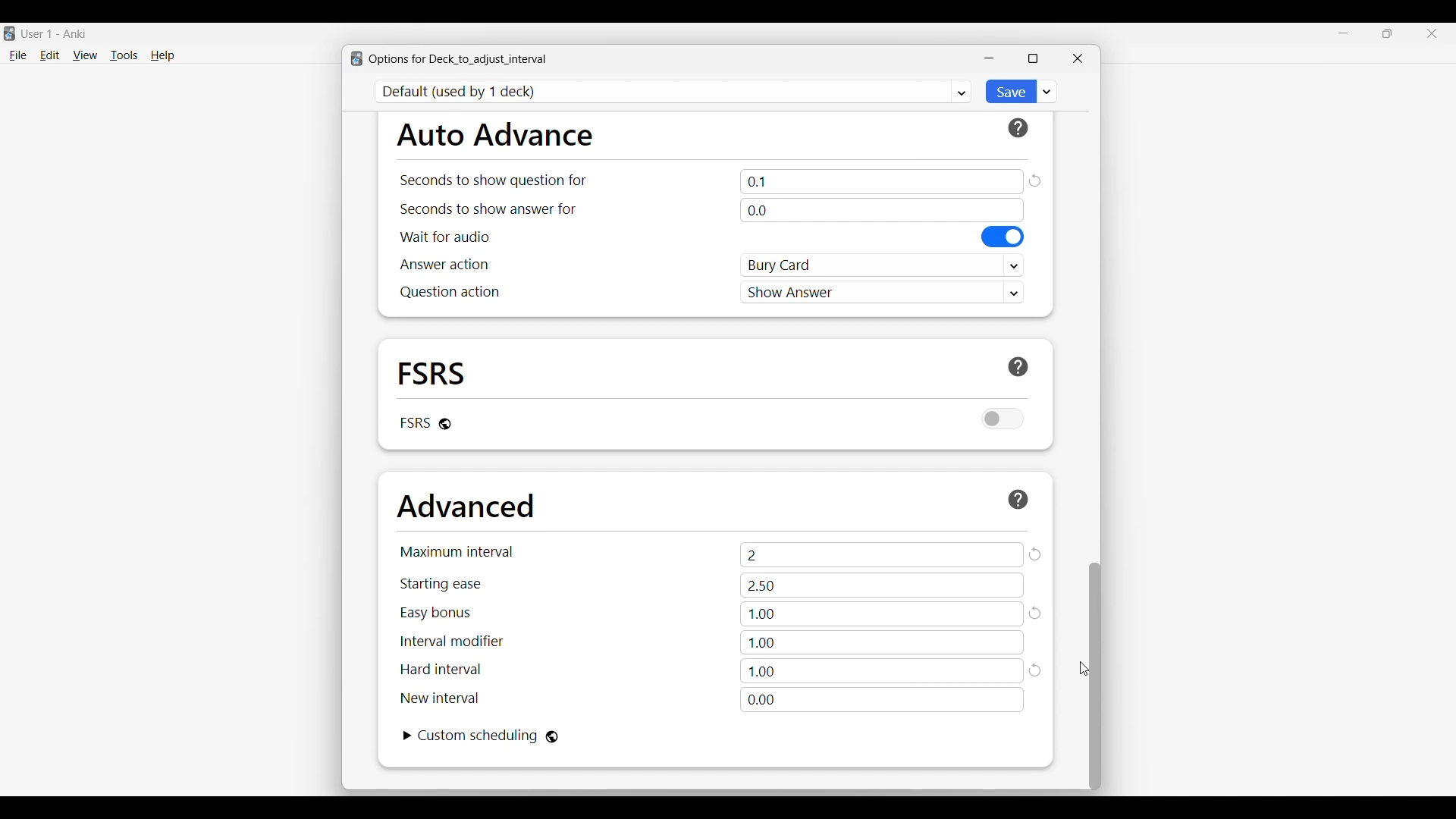 Image resolution: width=1456 pixels, height=819 pixels. Describe the element at coordinates (1344, 33) in the screenshot. I see `Minimize` at that location.